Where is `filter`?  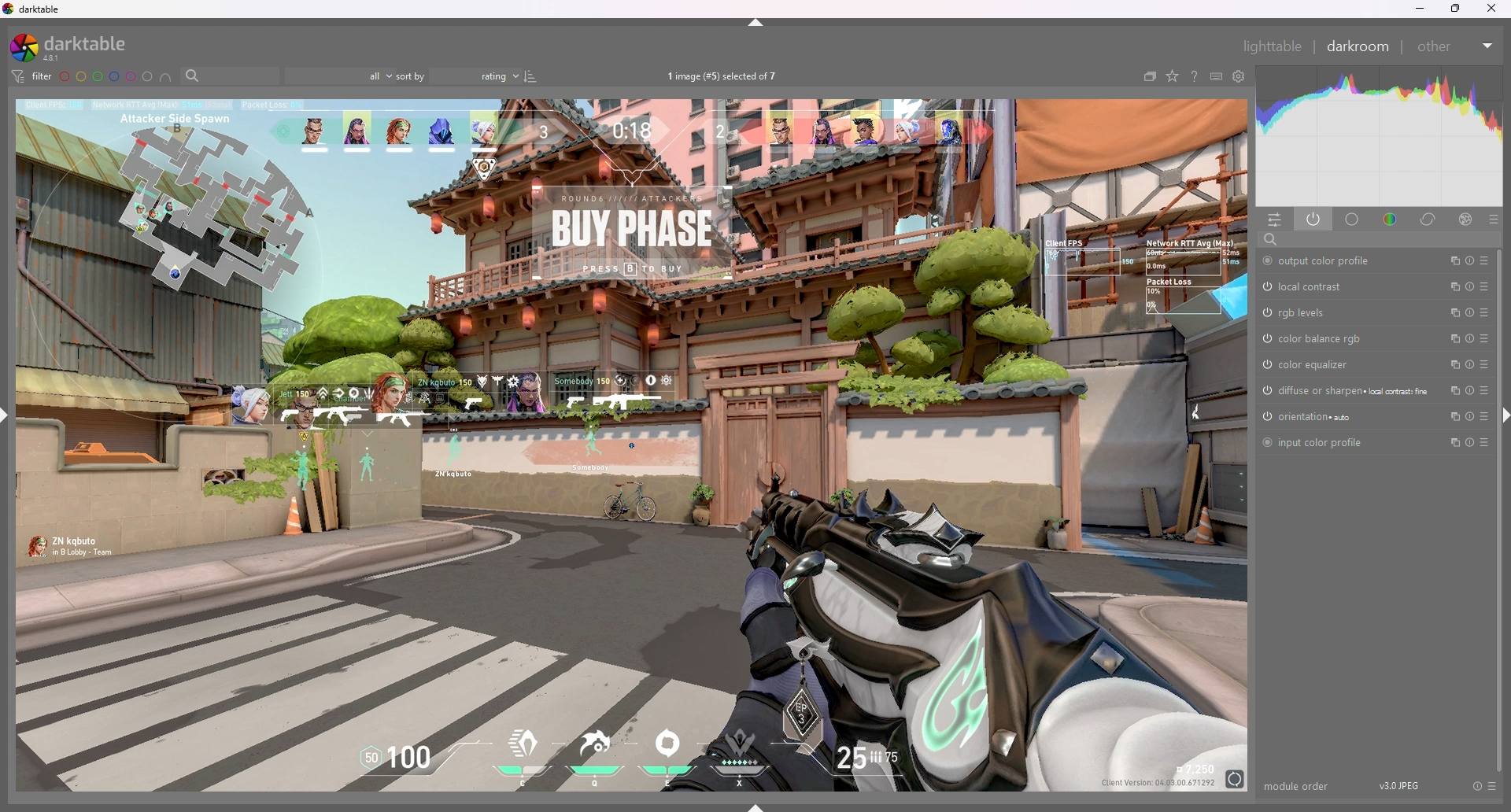 filter is located at coordinates (32, 76).